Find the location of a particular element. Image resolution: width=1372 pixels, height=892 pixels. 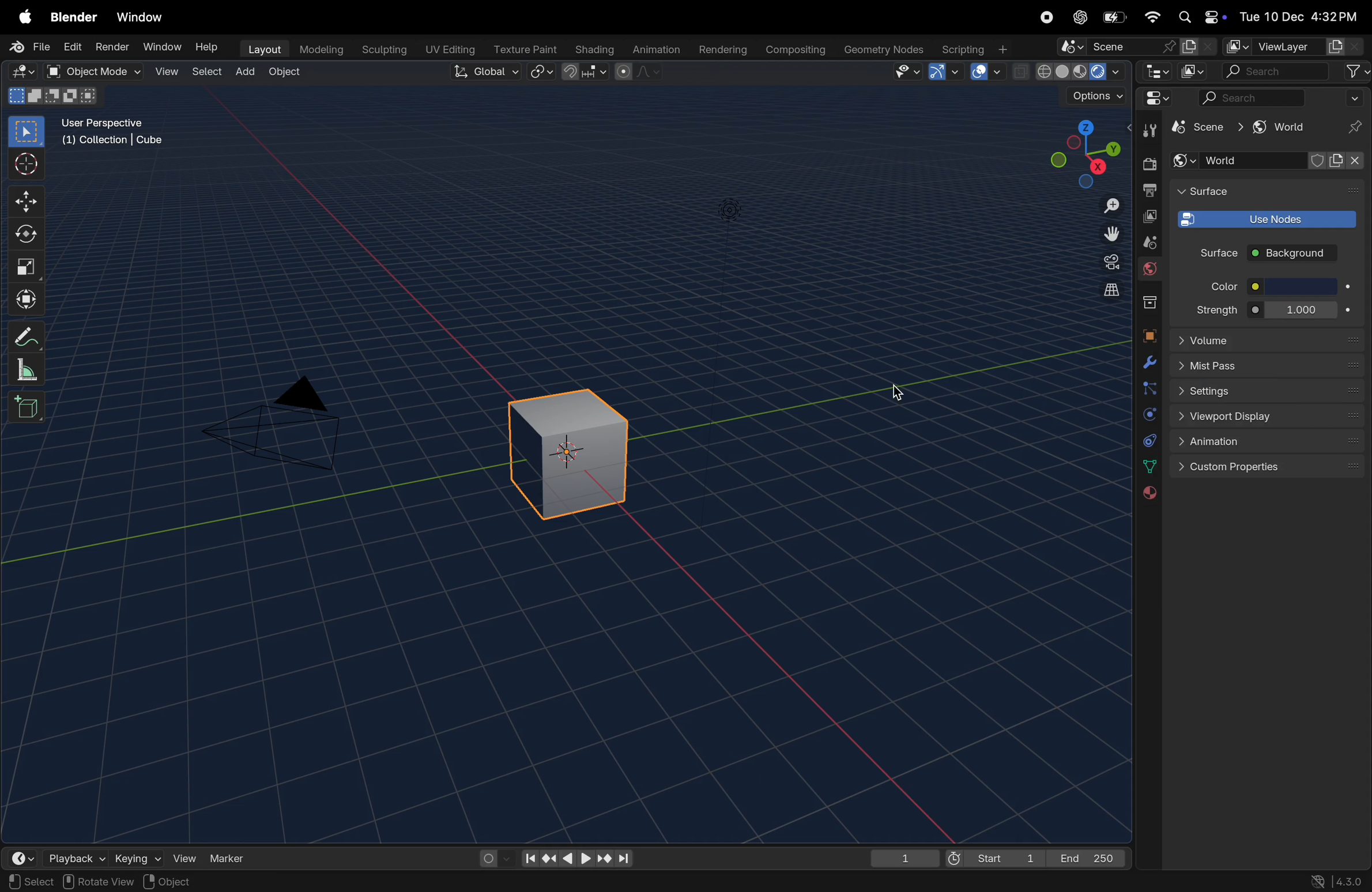

 is located at coordinates (730, 213).